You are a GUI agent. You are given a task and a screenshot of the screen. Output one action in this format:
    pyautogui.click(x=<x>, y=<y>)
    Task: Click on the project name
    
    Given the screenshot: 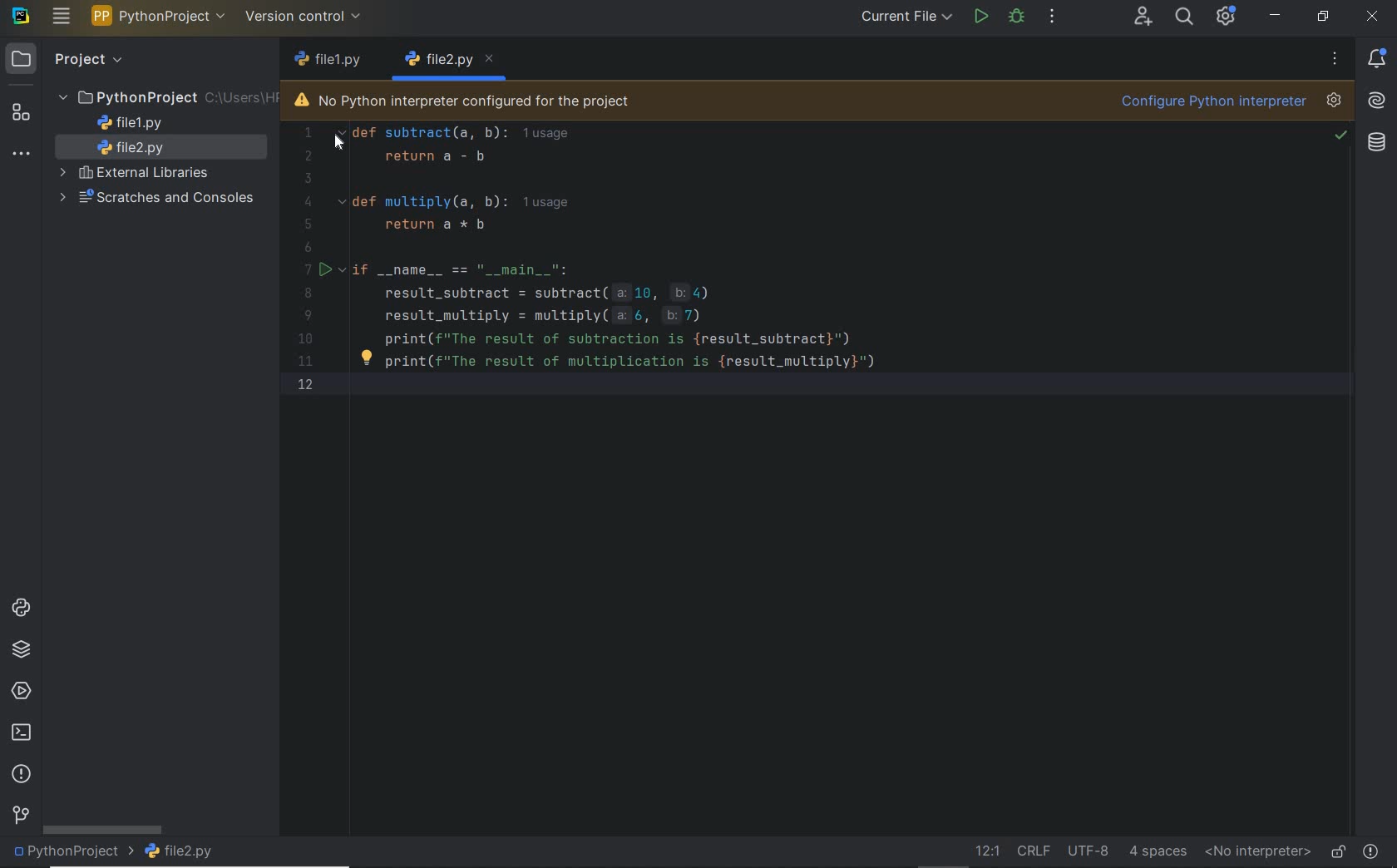 What is the action you would take?
    pyautogui.click(x=71, y=854)
    